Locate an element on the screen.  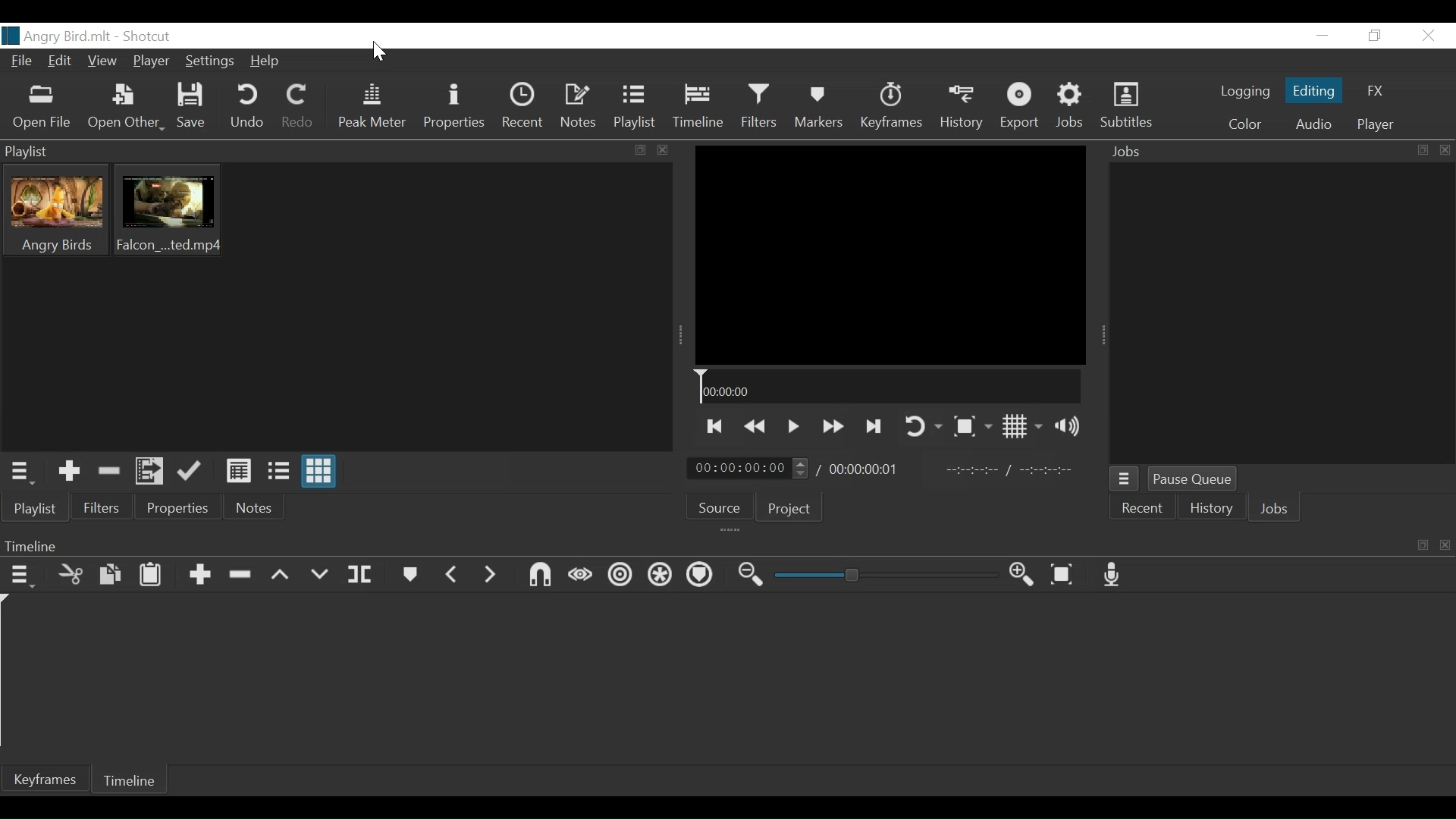
Skip to the next point is located at coordinates (873, 426).